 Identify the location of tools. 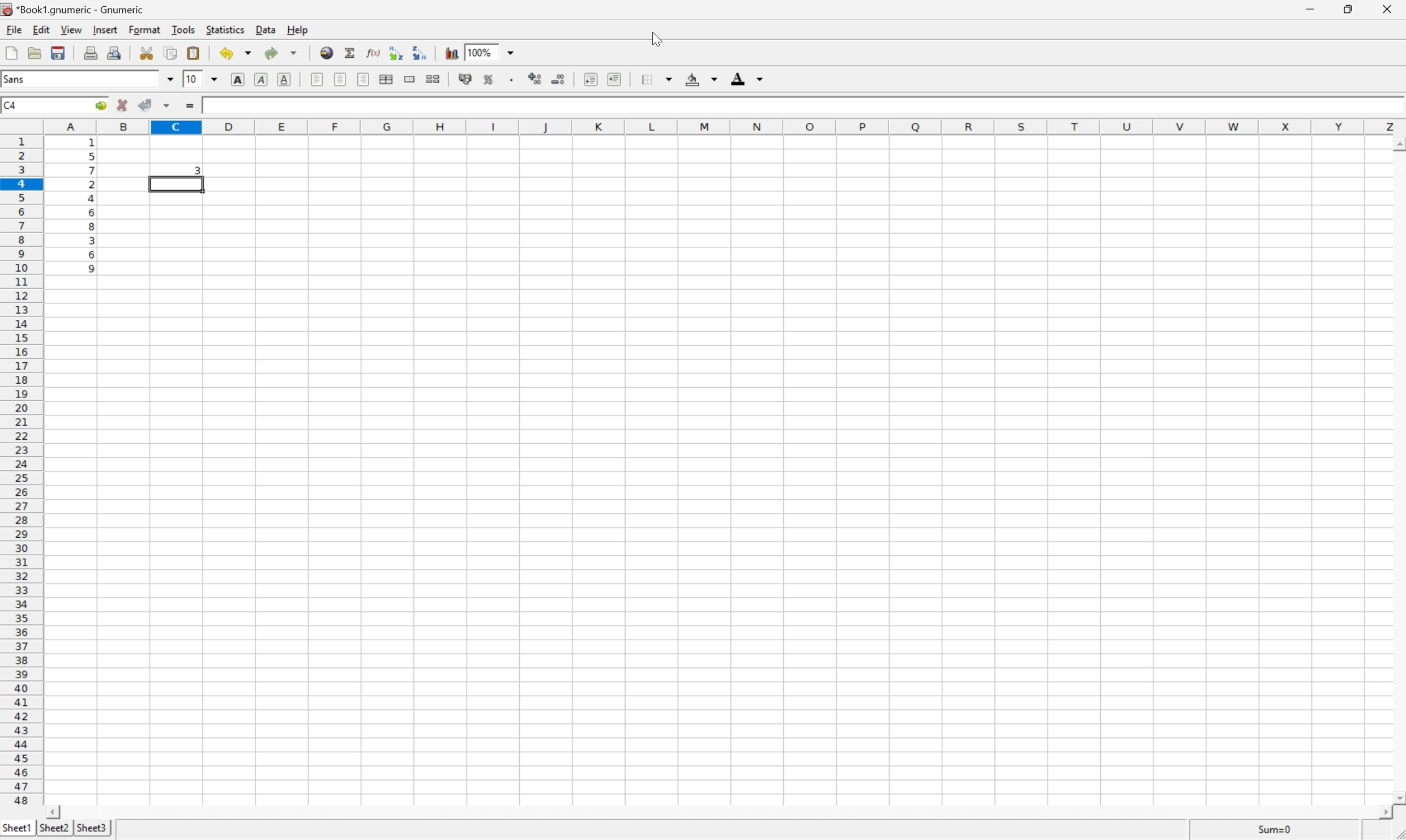
(183, 31).